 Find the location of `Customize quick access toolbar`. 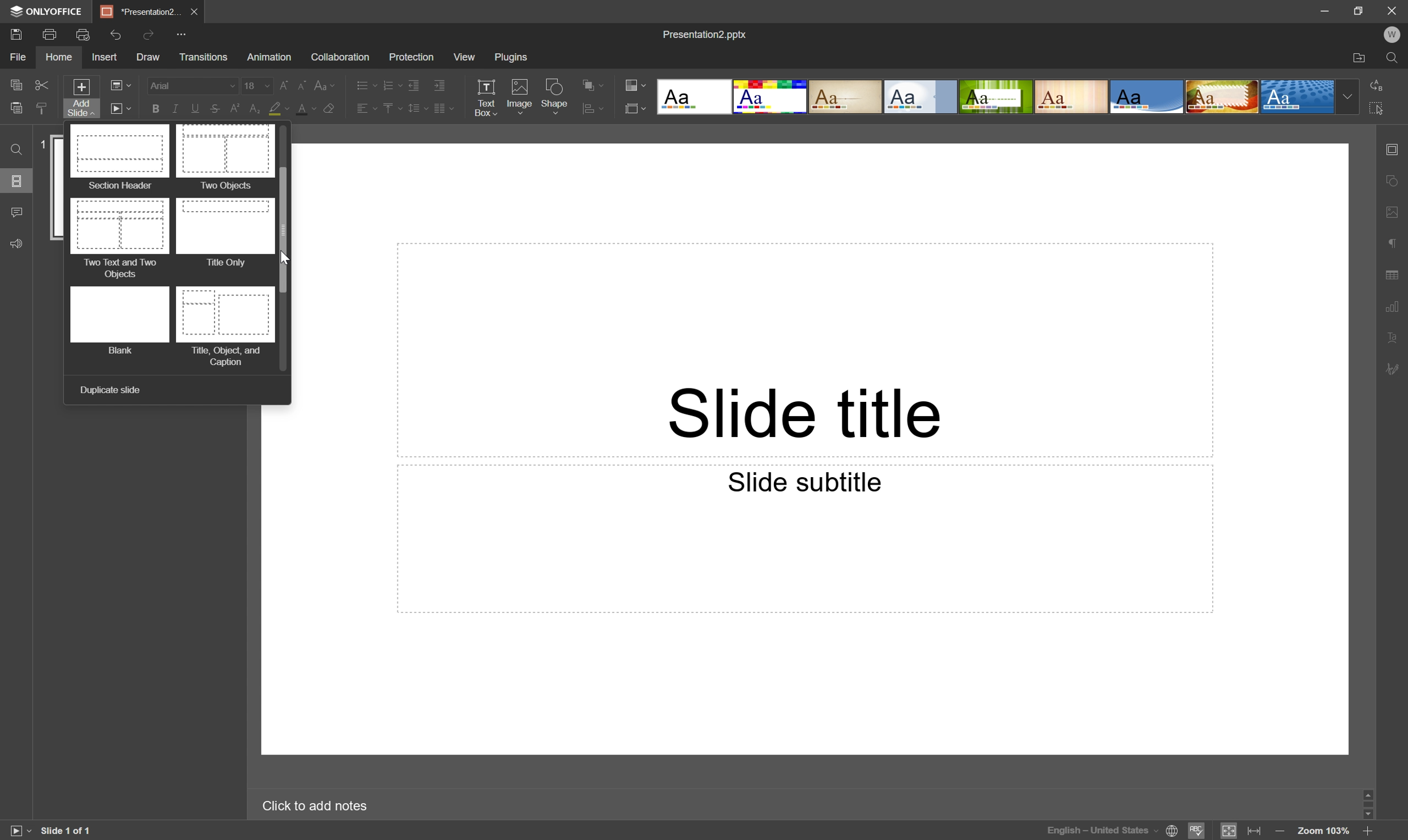

Customize quick access toolbar is located at coordinates (184, 33).